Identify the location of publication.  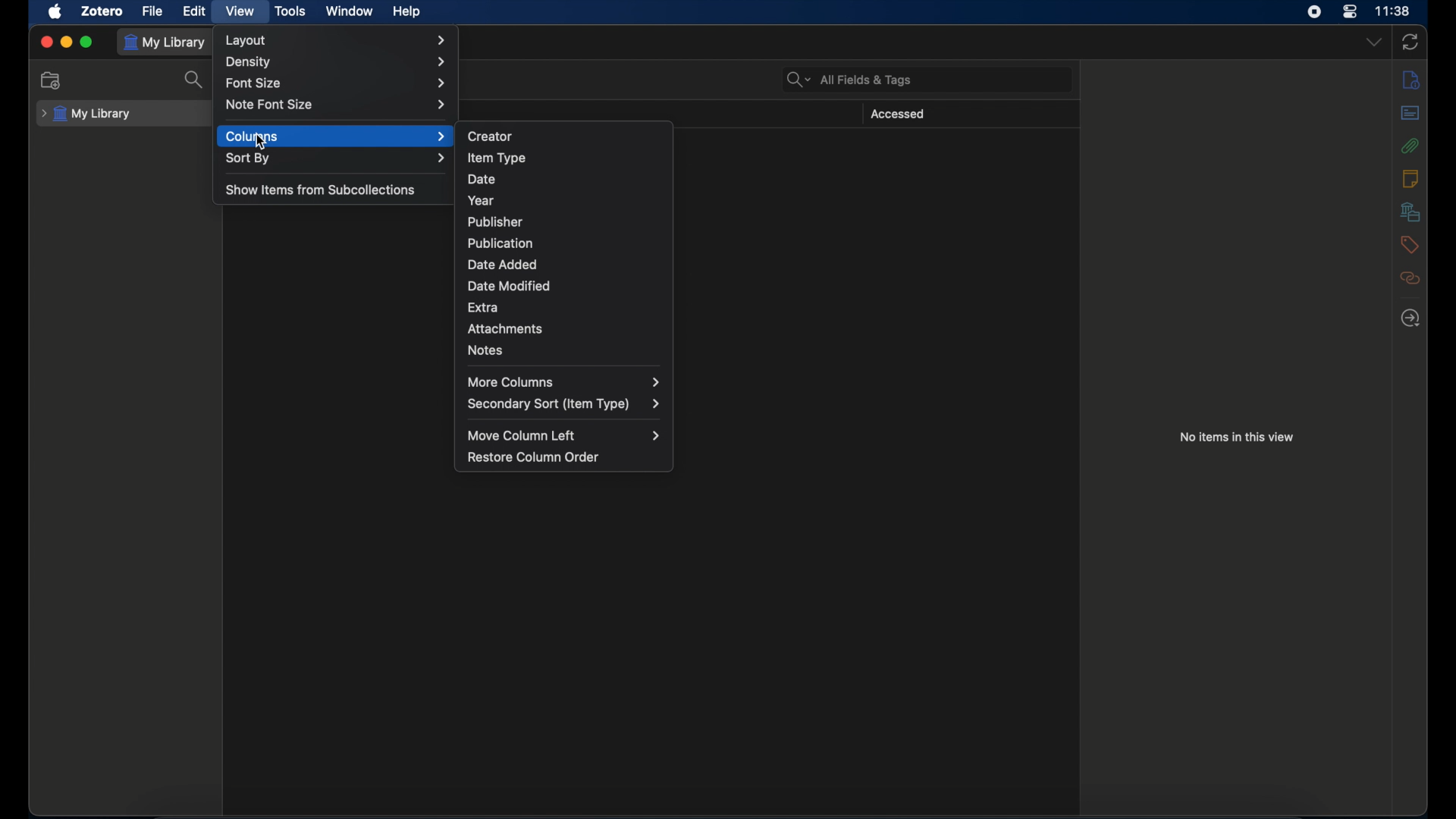
(500, 243).